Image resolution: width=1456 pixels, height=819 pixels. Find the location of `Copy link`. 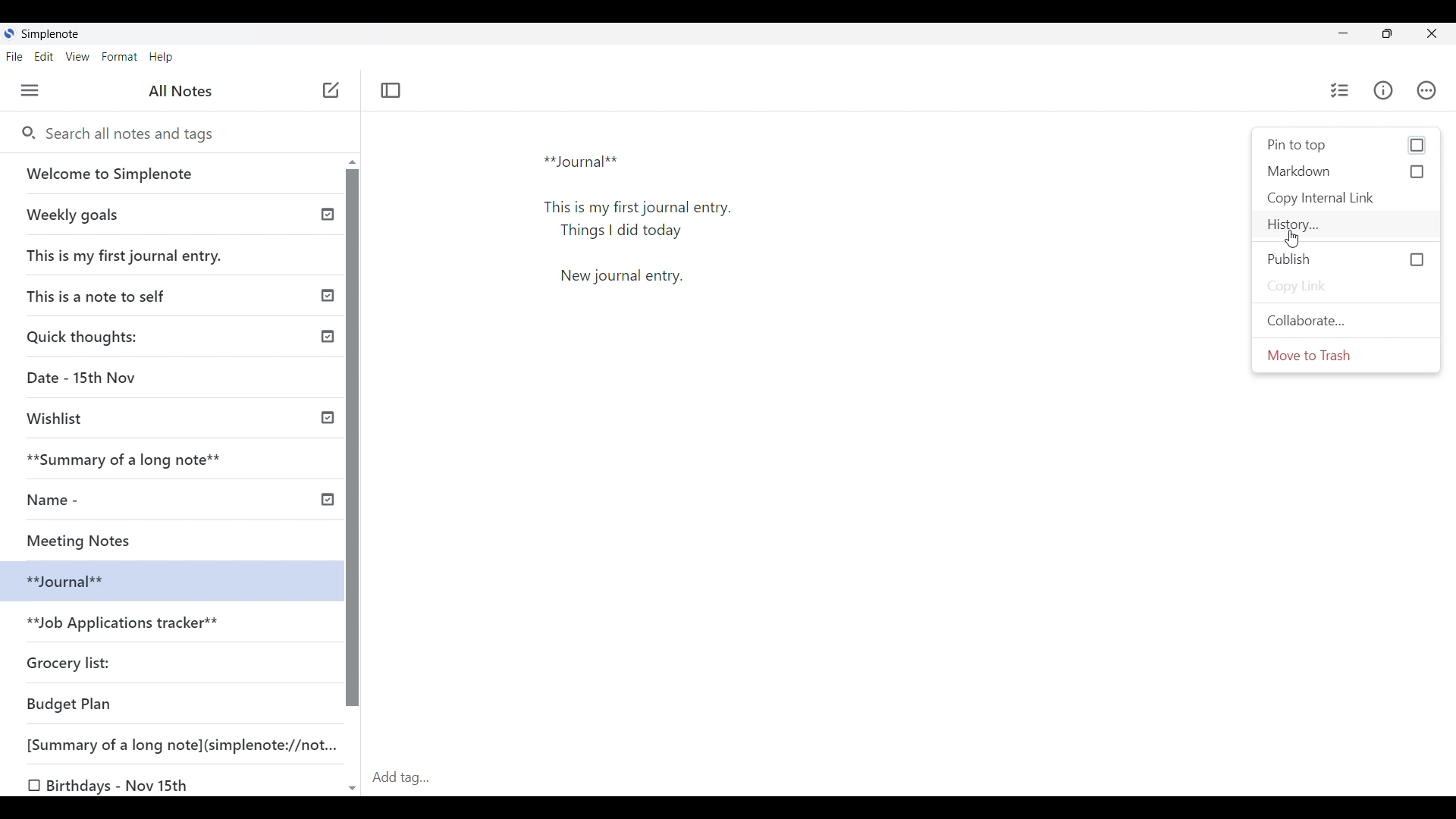

Copy link is located at coordinates (1346, 287).